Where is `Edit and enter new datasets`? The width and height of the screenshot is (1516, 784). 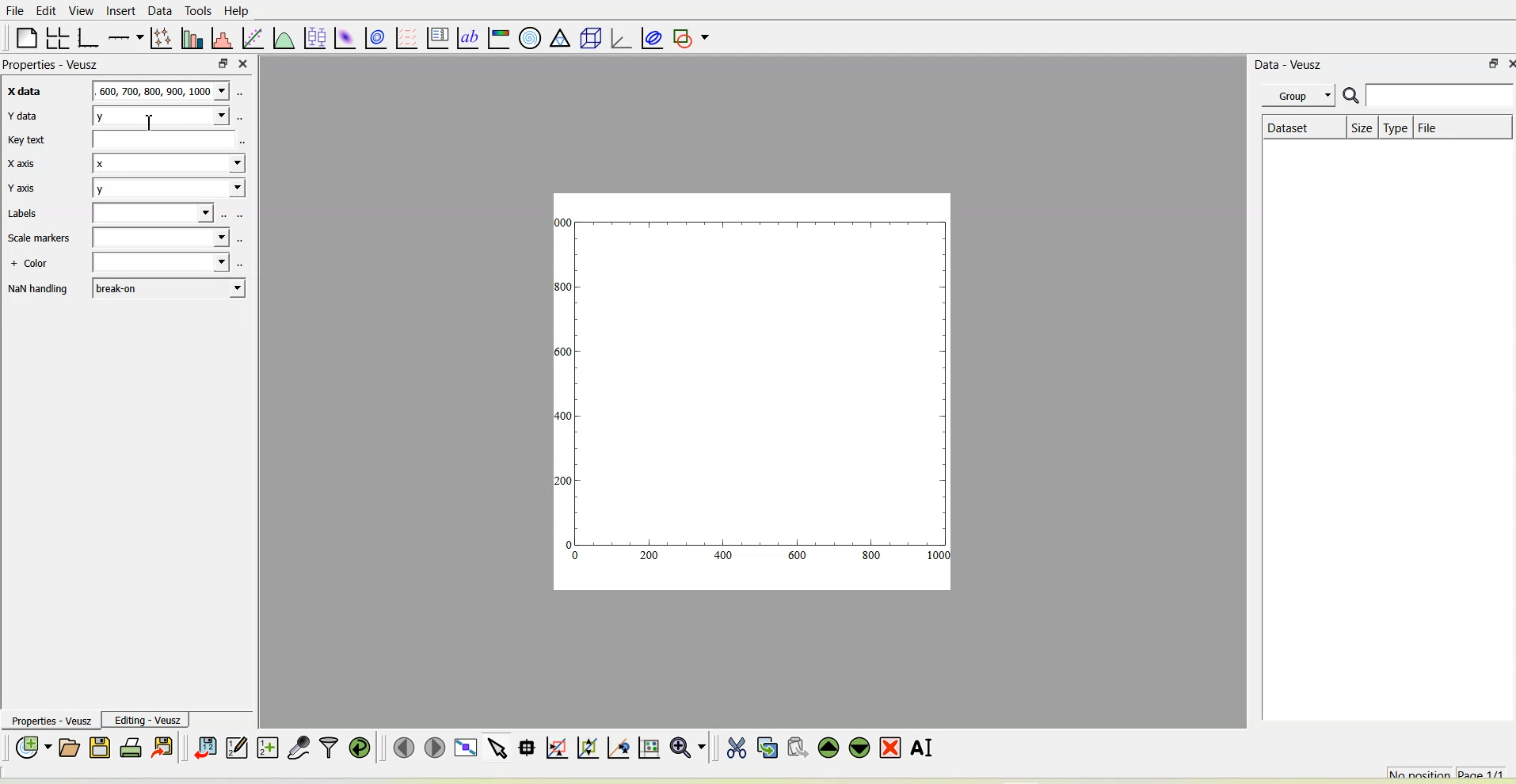 Edit and enter new datasets is located at coordinates (235, 748).